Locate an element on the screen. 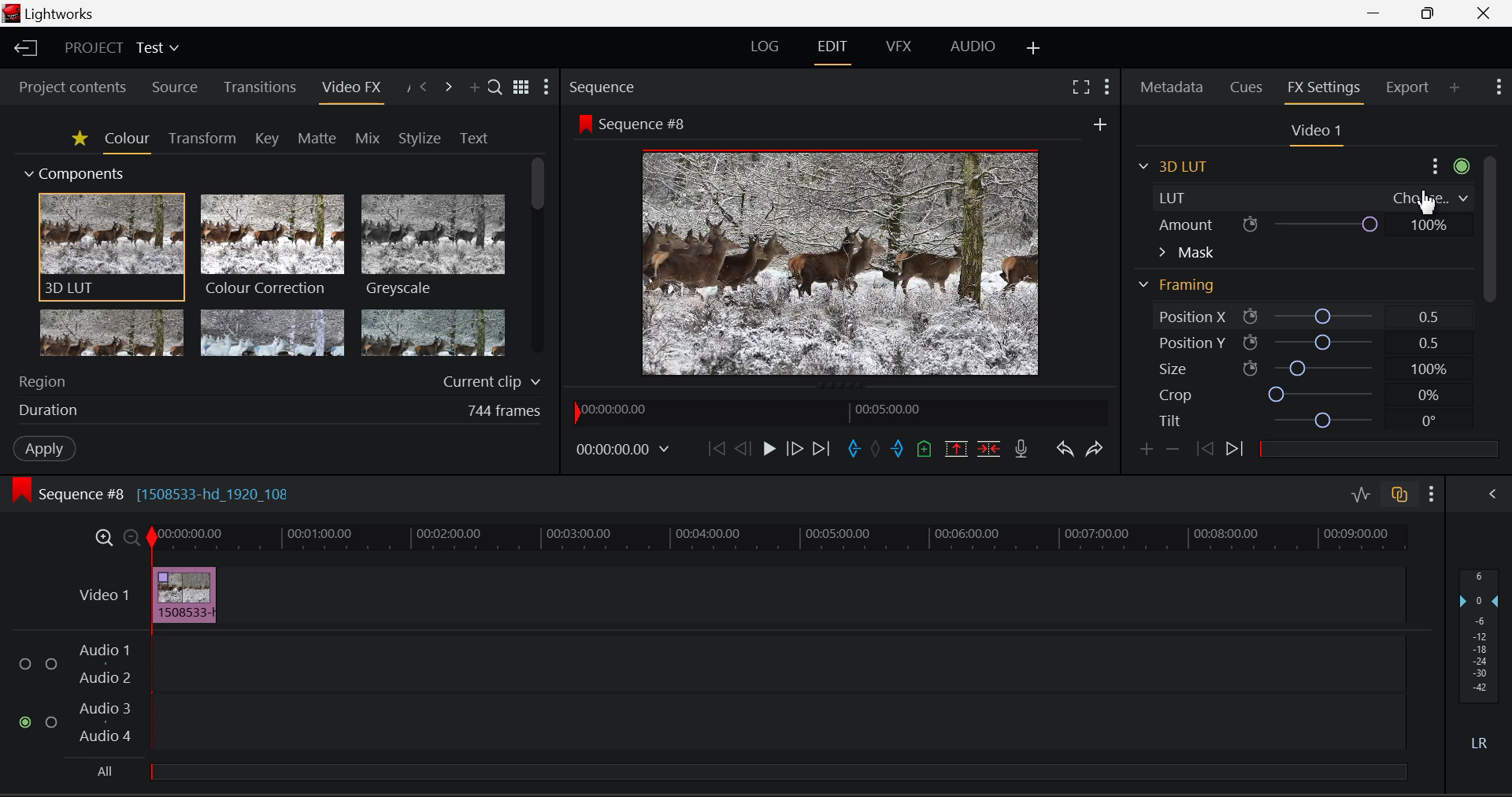  Add Panel is located at coordinates (474, 85).